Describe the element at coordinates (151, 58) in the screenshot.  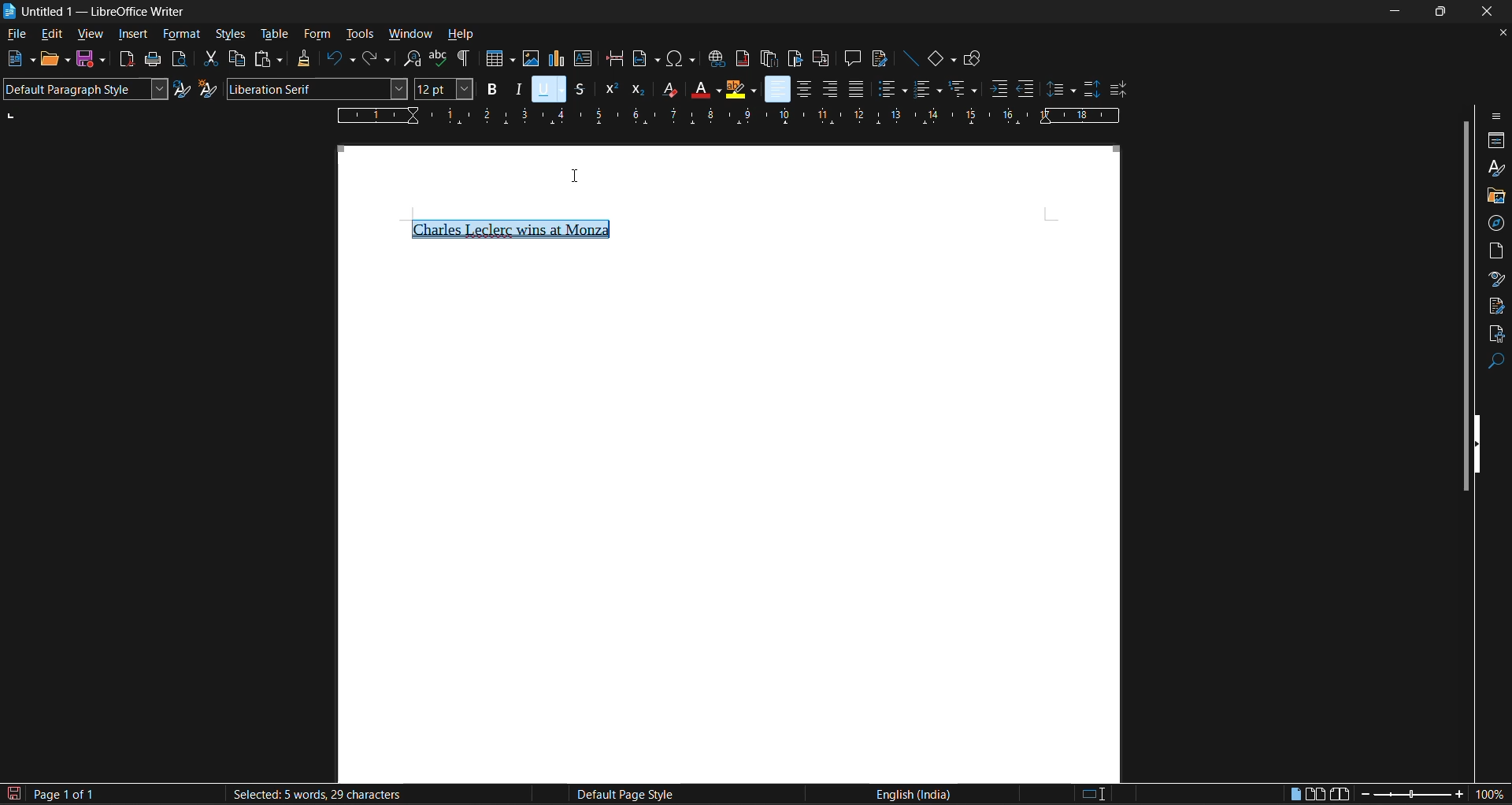
I see `print` at that location.